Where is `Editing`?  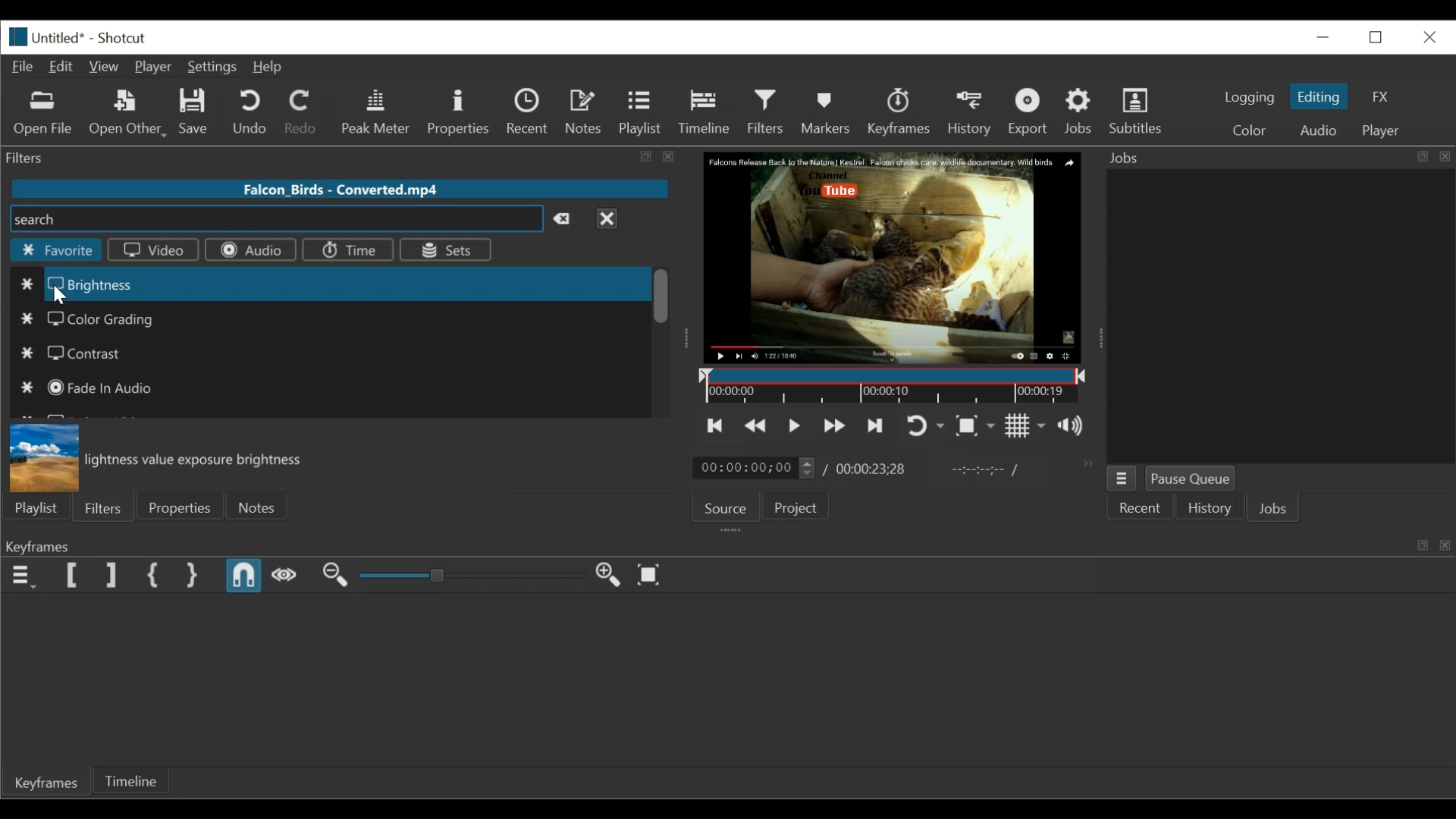
Editing is located at coordinates (1320, 96).